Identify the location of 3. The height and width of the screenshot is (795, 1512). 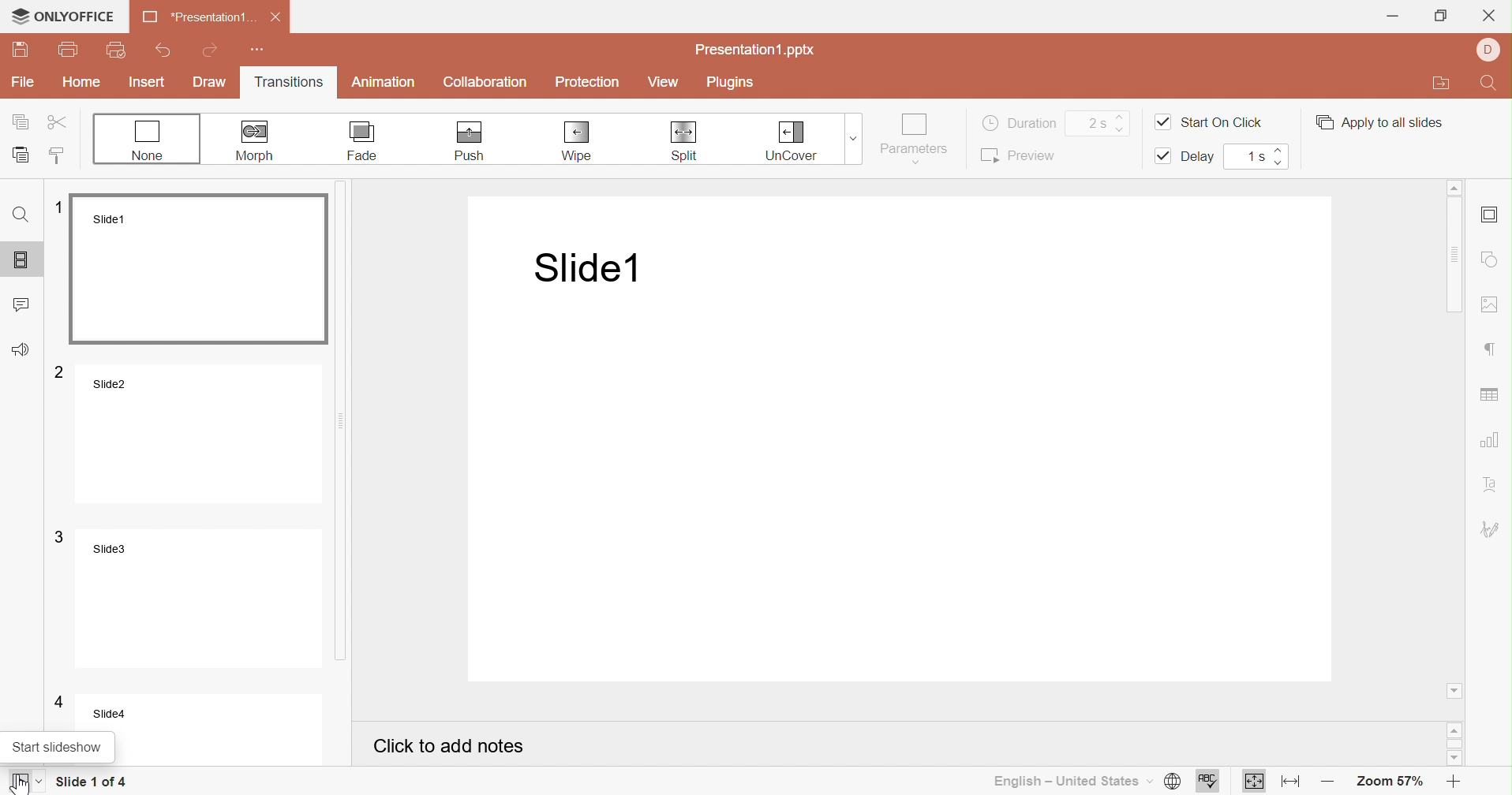
(60, 536).